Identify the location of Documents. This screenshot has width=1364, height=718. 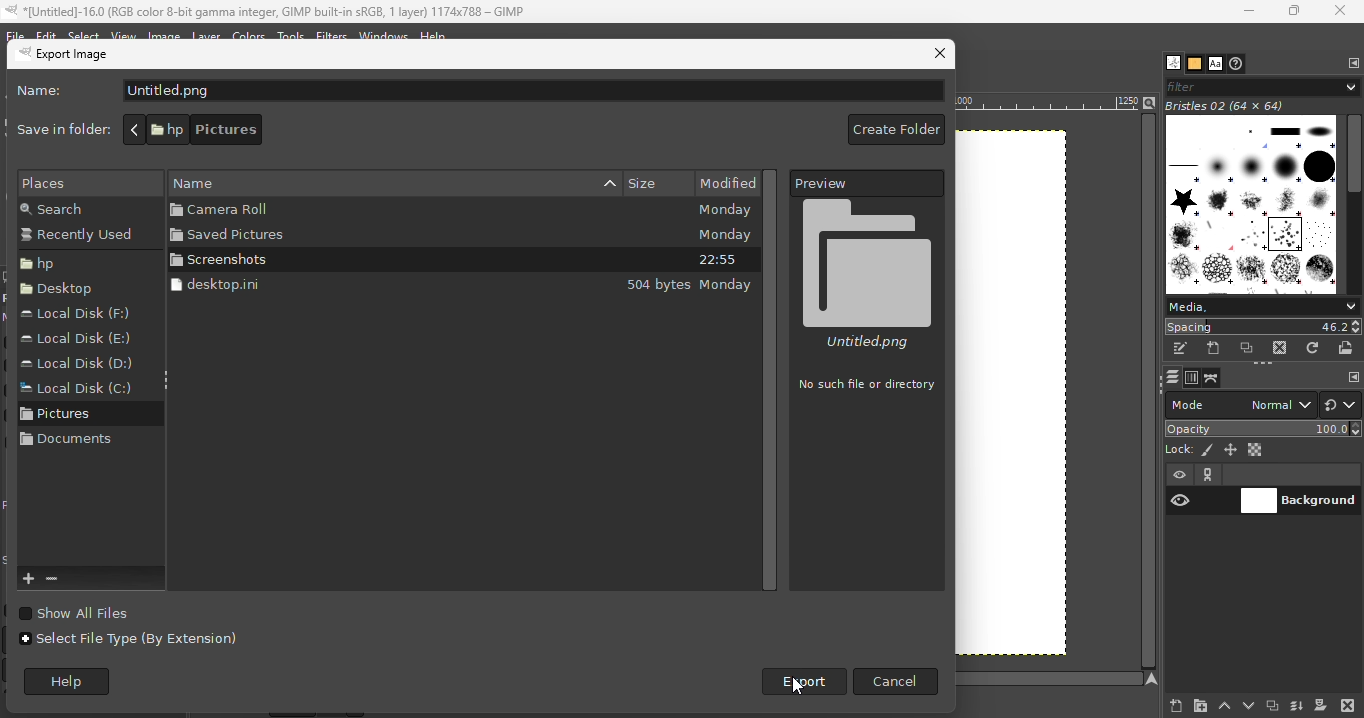
(235, 130).